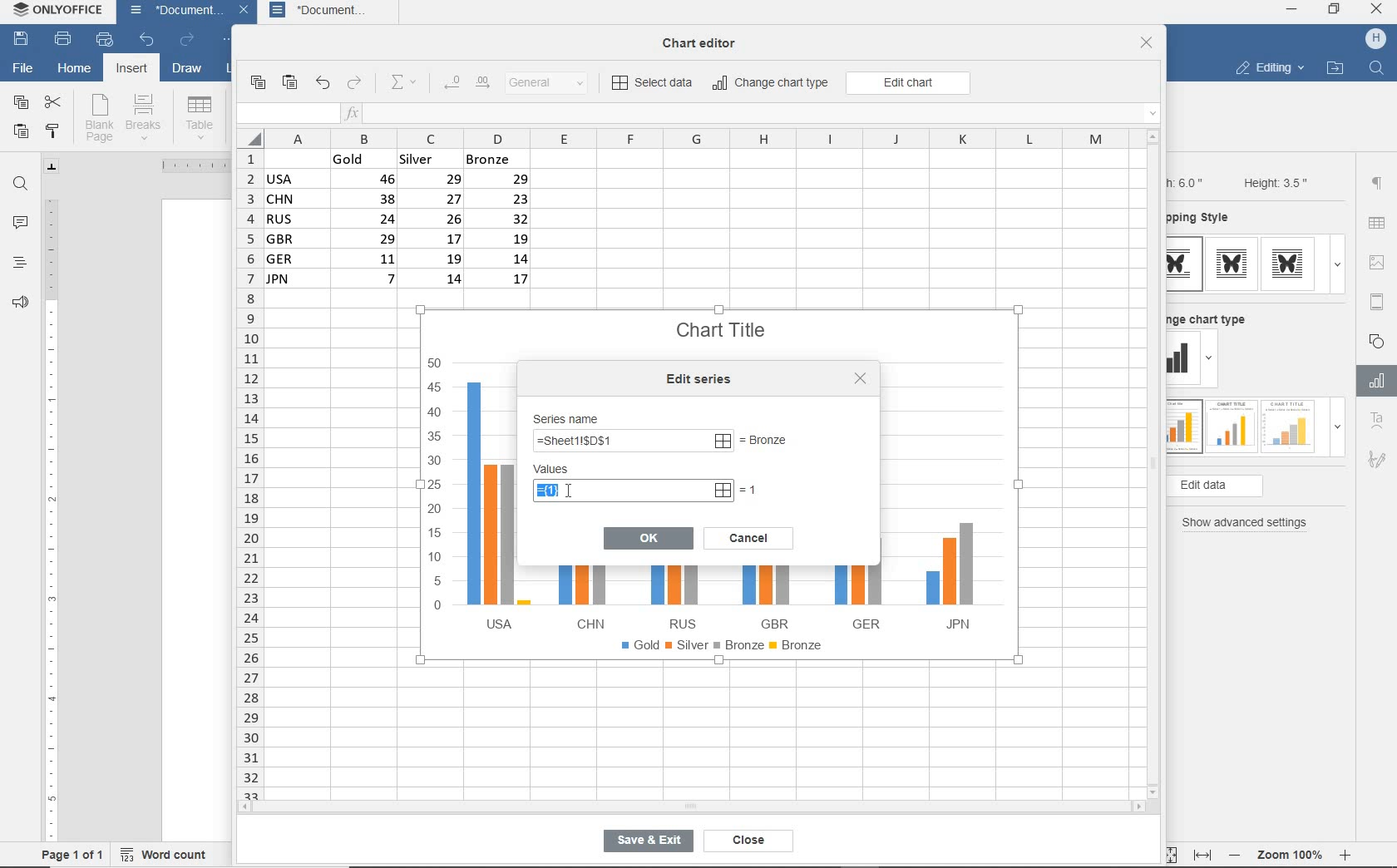 This screenshot has height=868, width=1397. Describe the element at coordinates (21, 133) in the screenshot. I see `paste` at that location.